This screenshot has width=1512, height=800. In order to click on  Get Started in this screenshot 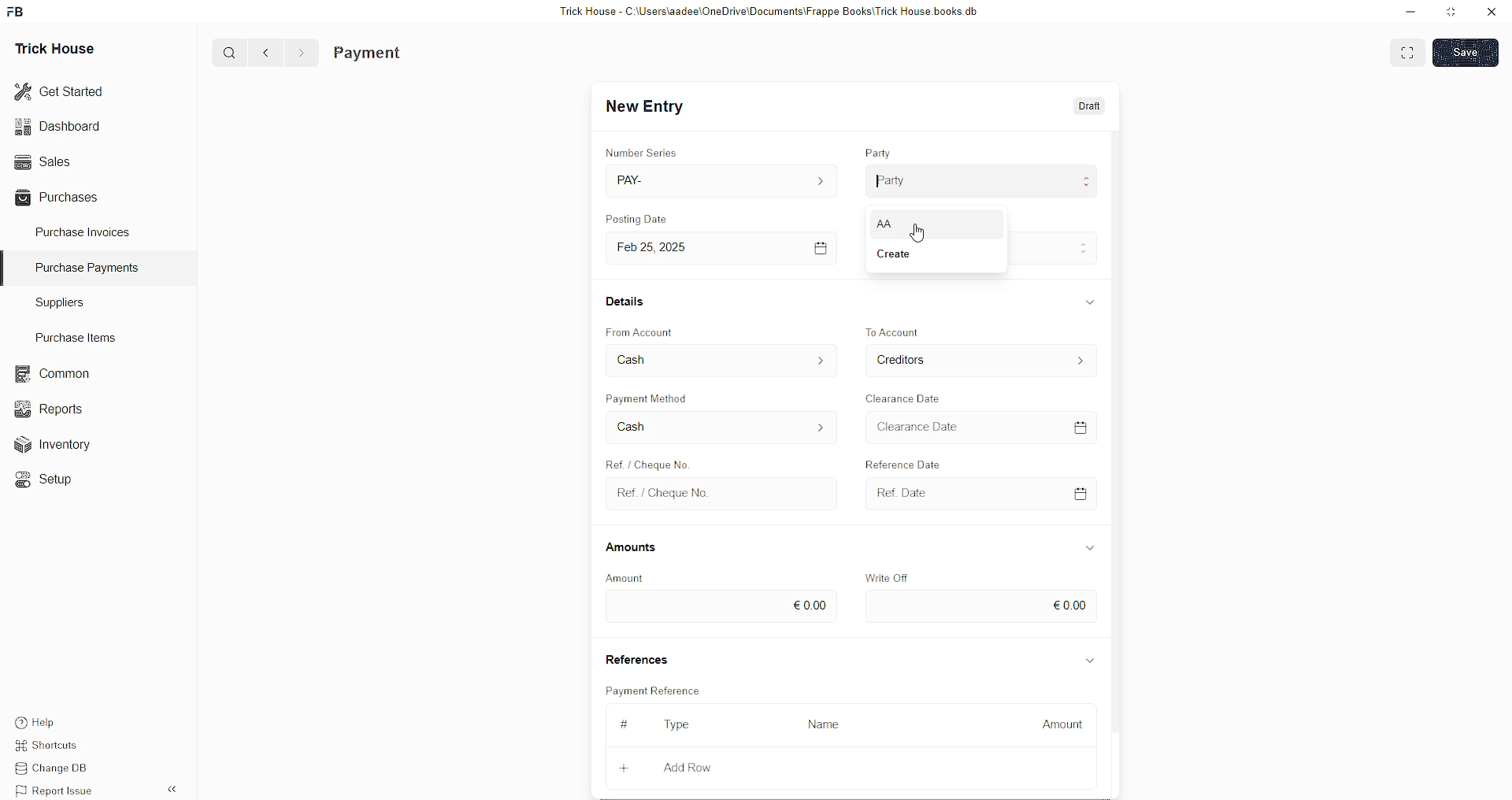, I will do `click(60, 90)`.